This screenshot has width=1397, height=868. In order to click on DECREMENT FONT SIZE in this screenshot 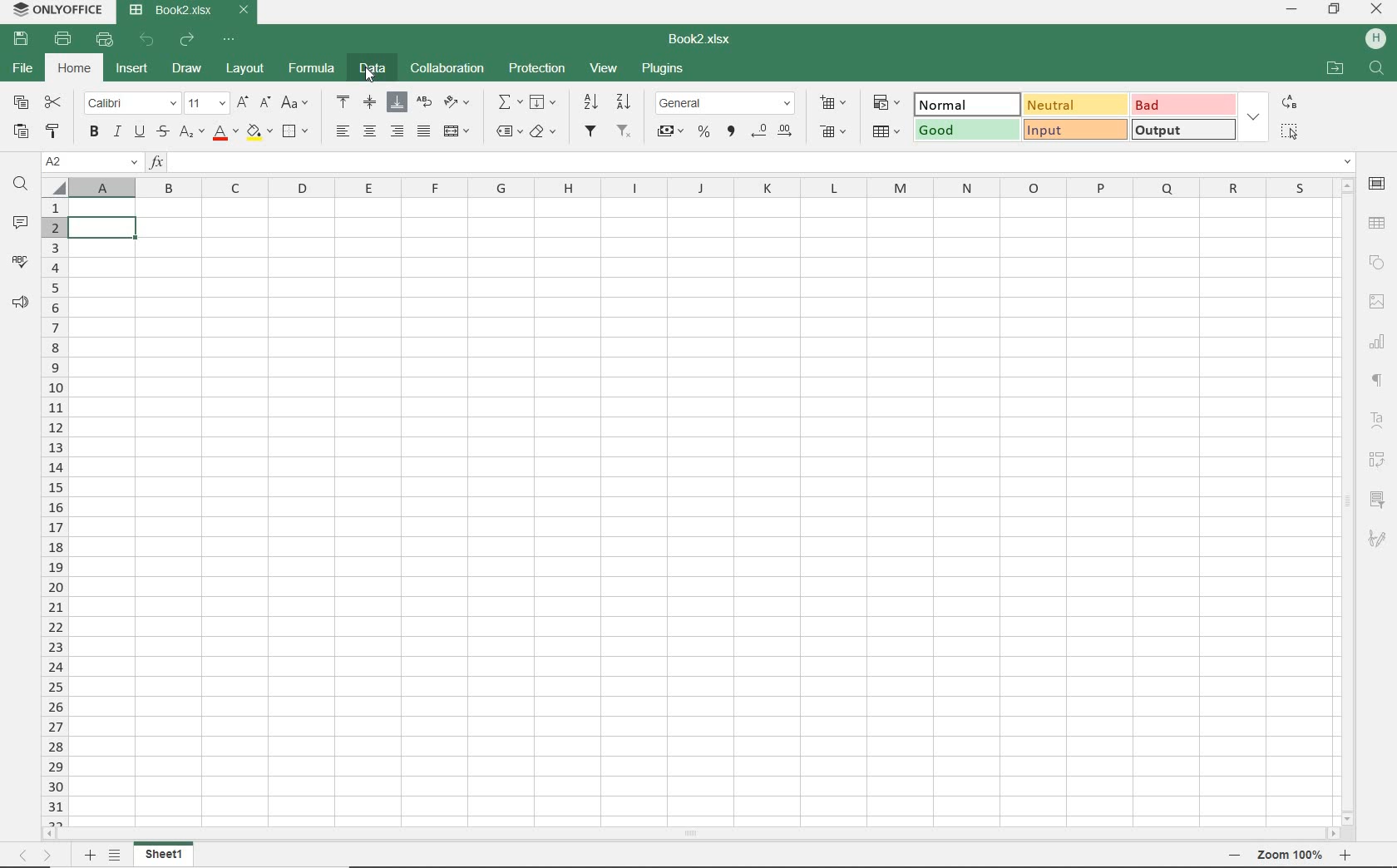, I will do `click(264, 103)`.